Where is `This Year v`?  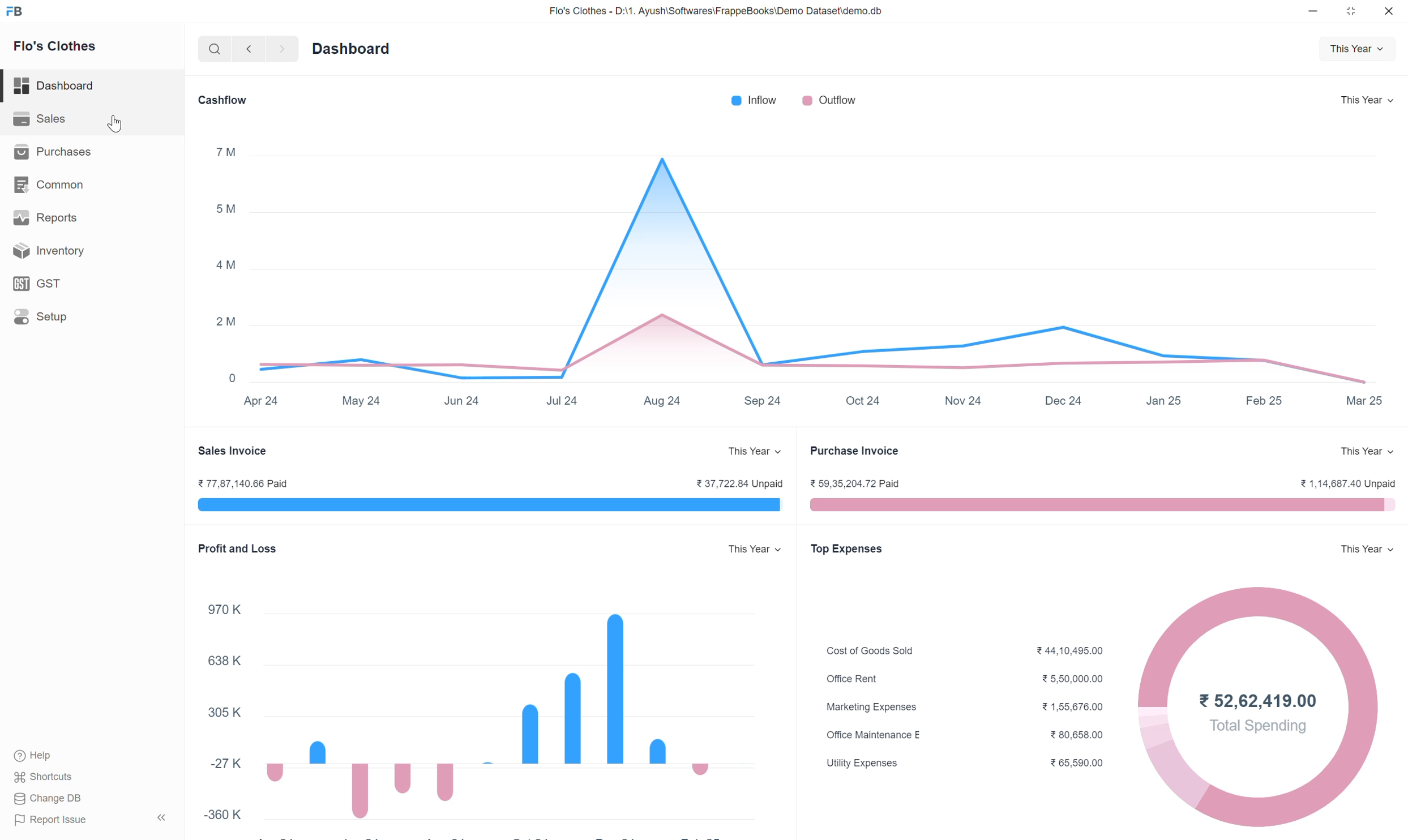
This Year v is located at coordinates (1347, 48).